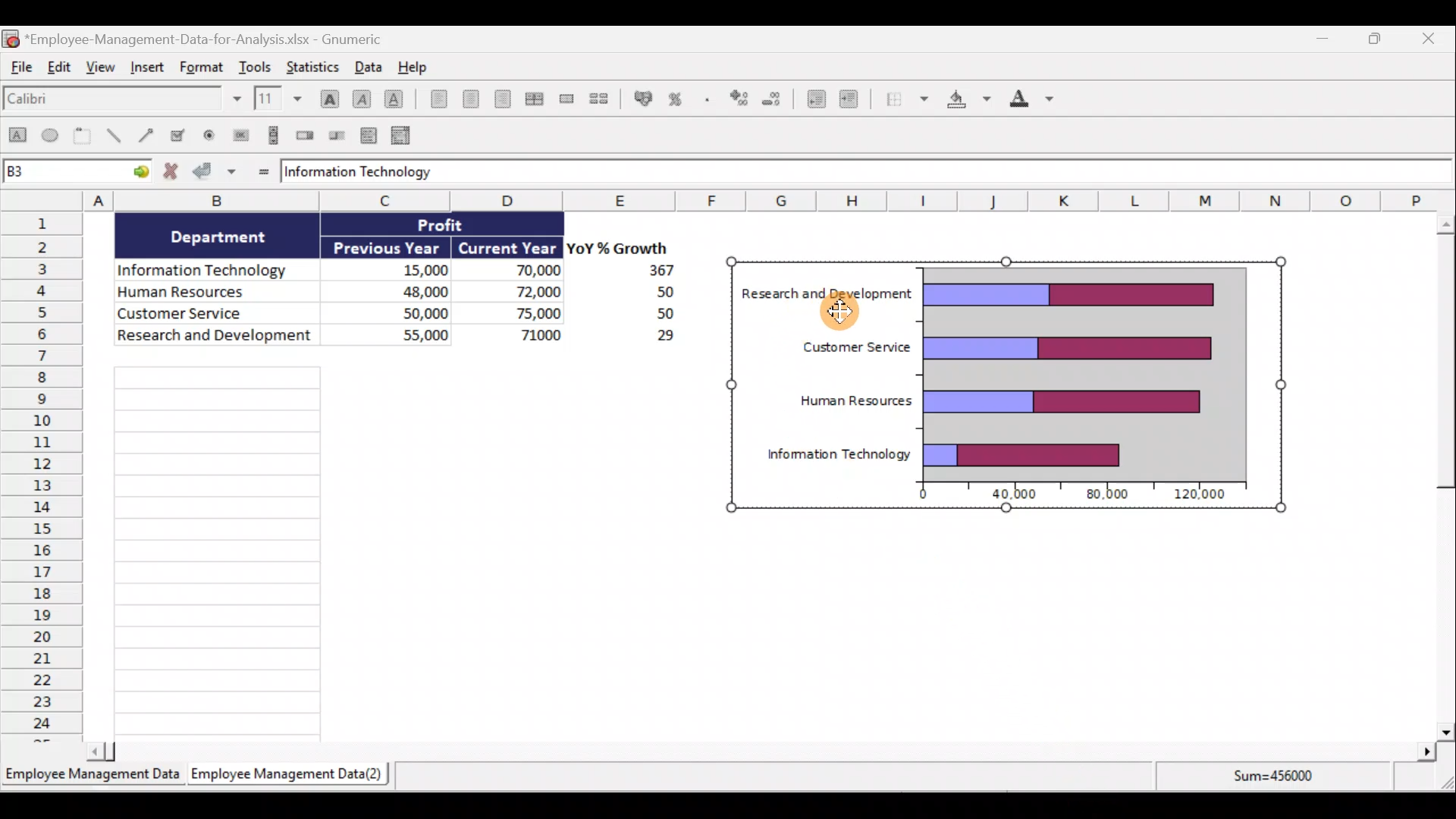 Image resolution: width=1456 pixels, height=819 pixels. What do you see at coordinates (710, 101) in the screenshot?
I see `Include a thousands separator` at bounding box center [710, 101].